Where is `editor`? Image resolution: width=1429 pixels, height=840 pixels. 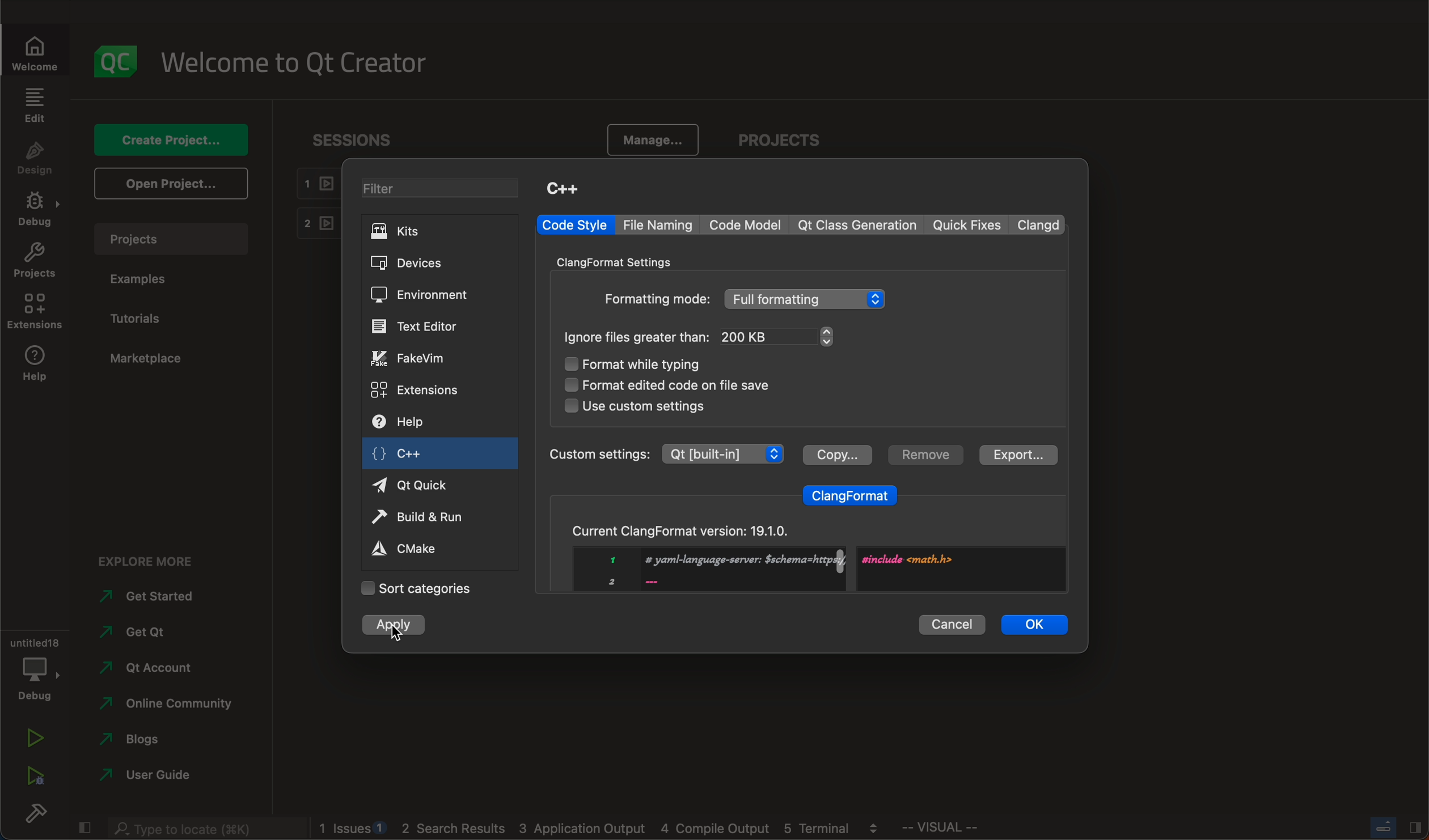
editor is located at coordinates (417, 326).